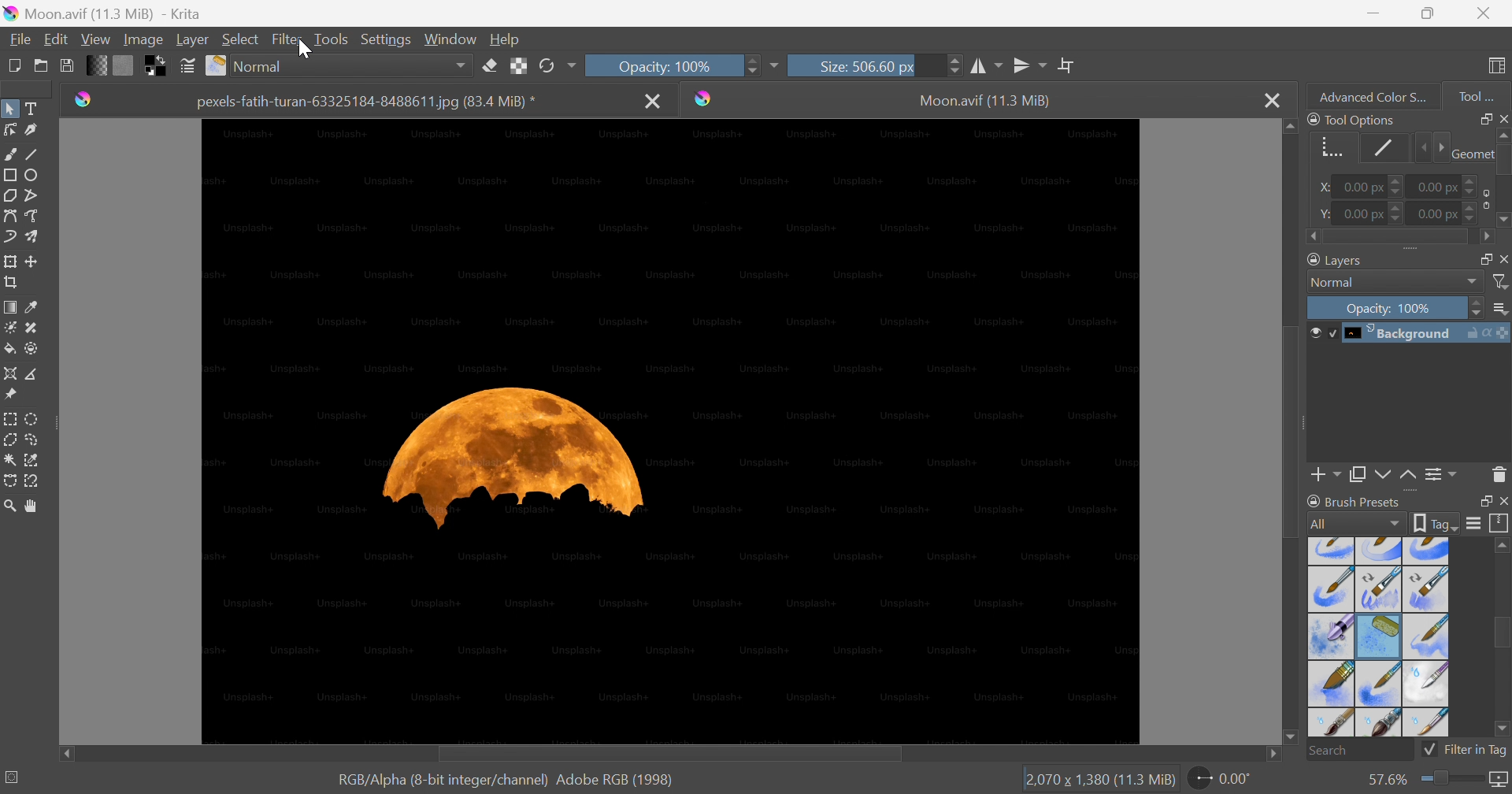 Image resolution: width=1512 pixels, height=794 pixels. I want to click on 57.6%, so click(1384, 780).